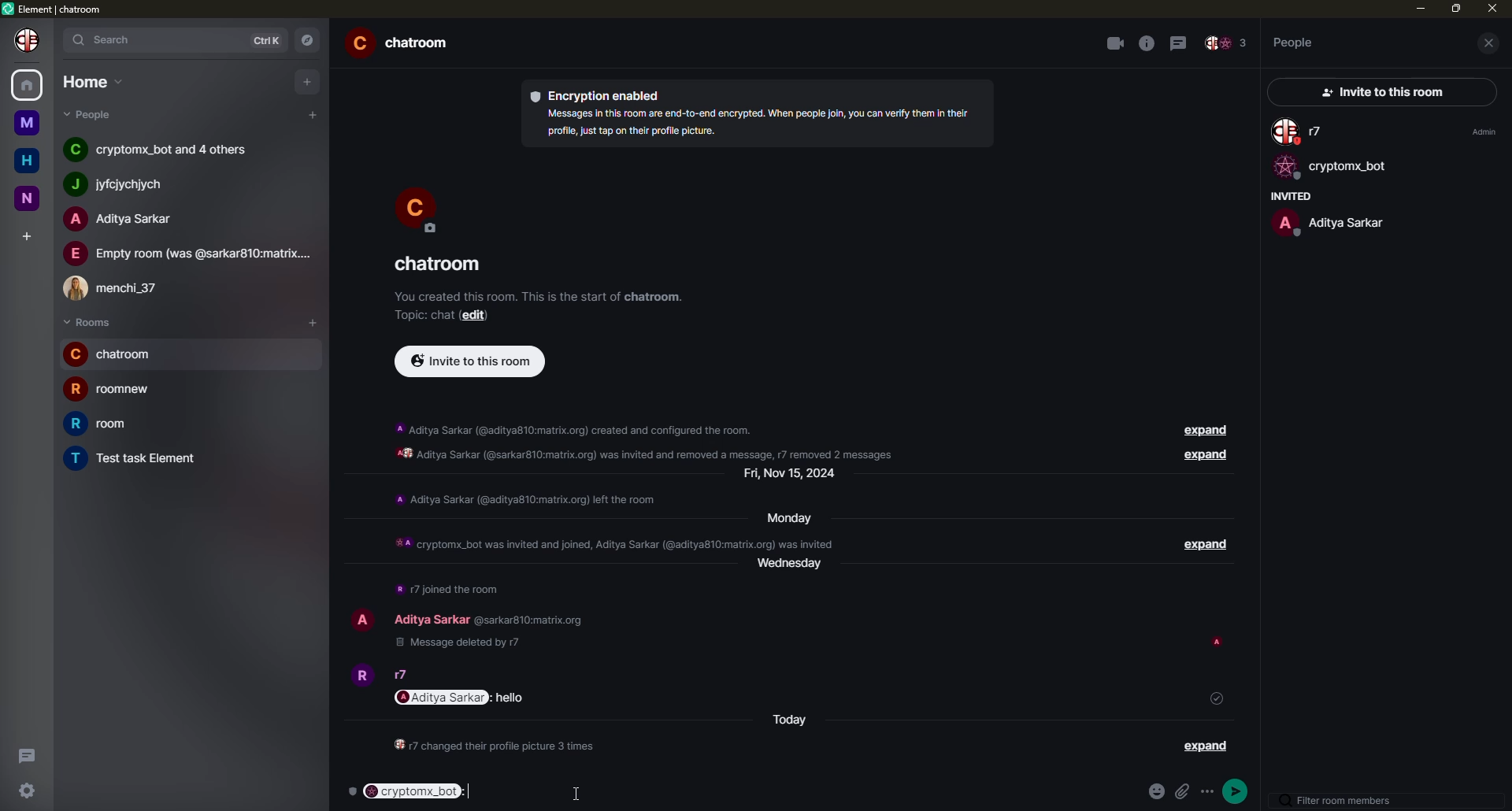 Image resolution: width=1512 pixels, height=811 pixels. I want to click on send, so click(1238, 792).